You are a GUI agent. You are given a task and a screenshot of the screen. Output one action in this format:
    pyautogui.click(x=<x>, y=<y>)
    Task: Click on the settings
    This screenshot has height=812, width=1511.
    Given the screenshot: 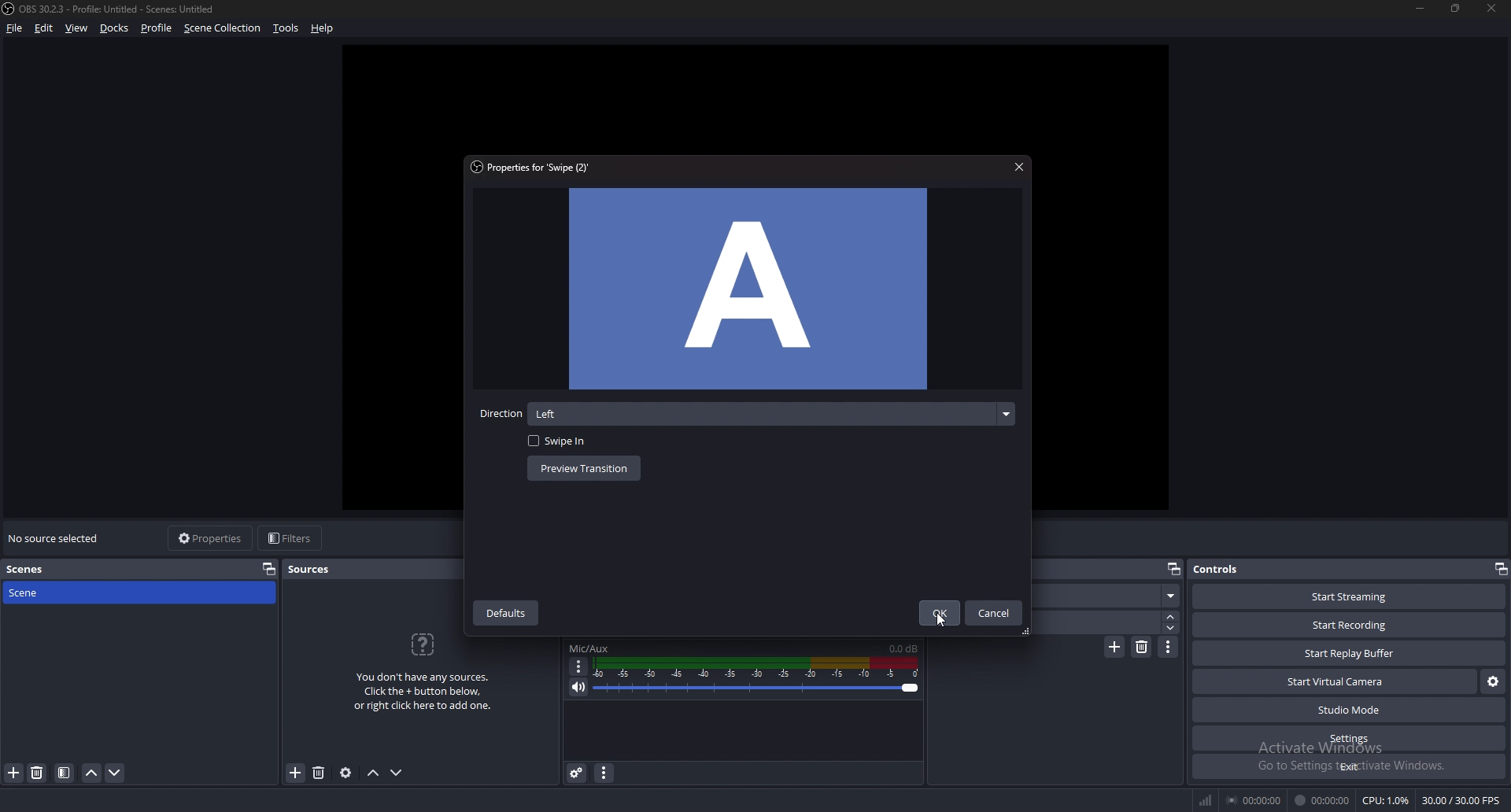 What is the action you would take?
    pyautogui.click(x=1352, y=738)
    